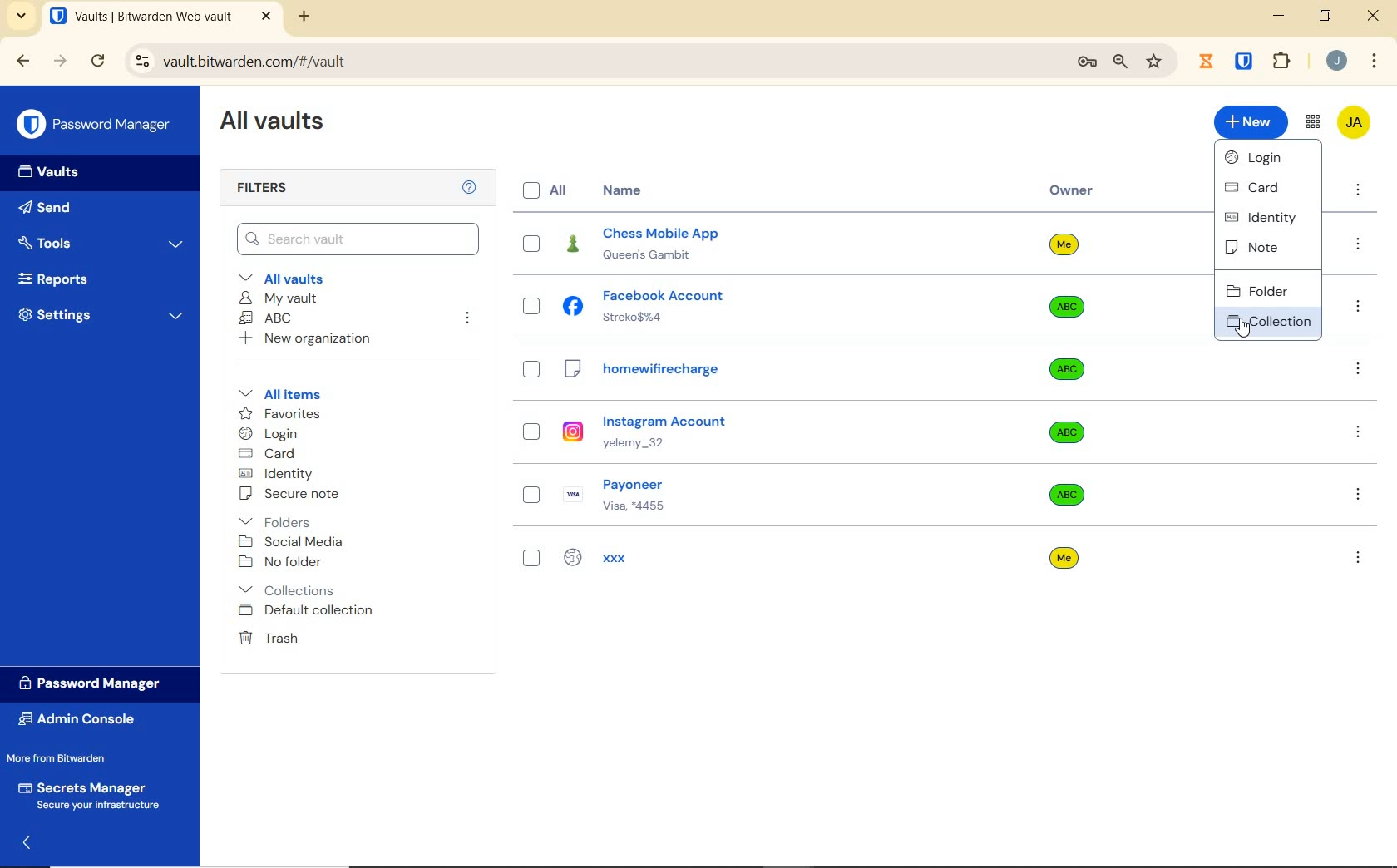 This screenshot has width=1397, height=868. Describe the element at coordinates (1245, 62) in the screenshot. I see `bitwarden extension` at that location.